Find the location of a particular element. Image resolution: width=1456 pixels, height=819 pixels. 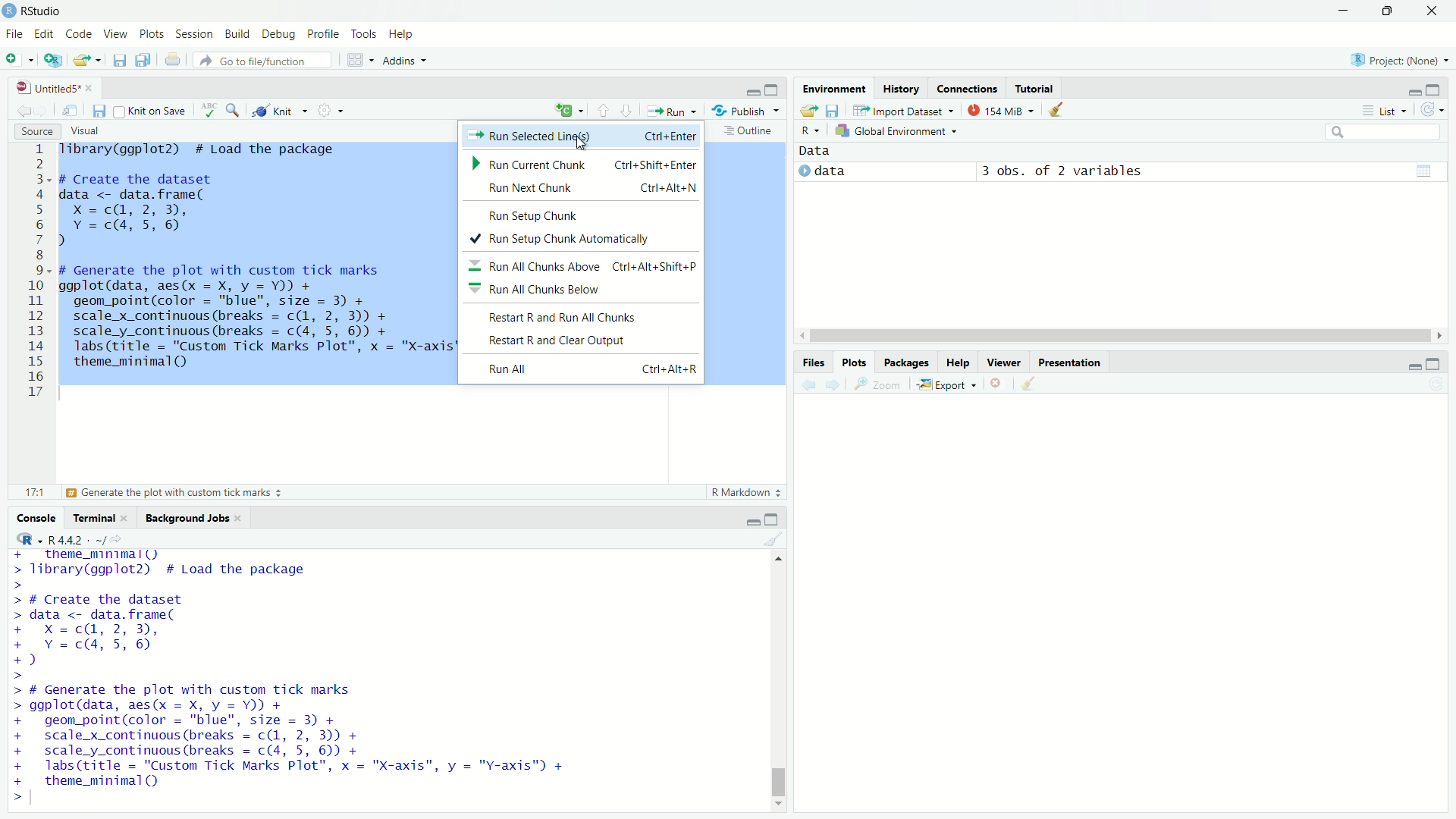

refresh is located at coordinates (1437, 111).